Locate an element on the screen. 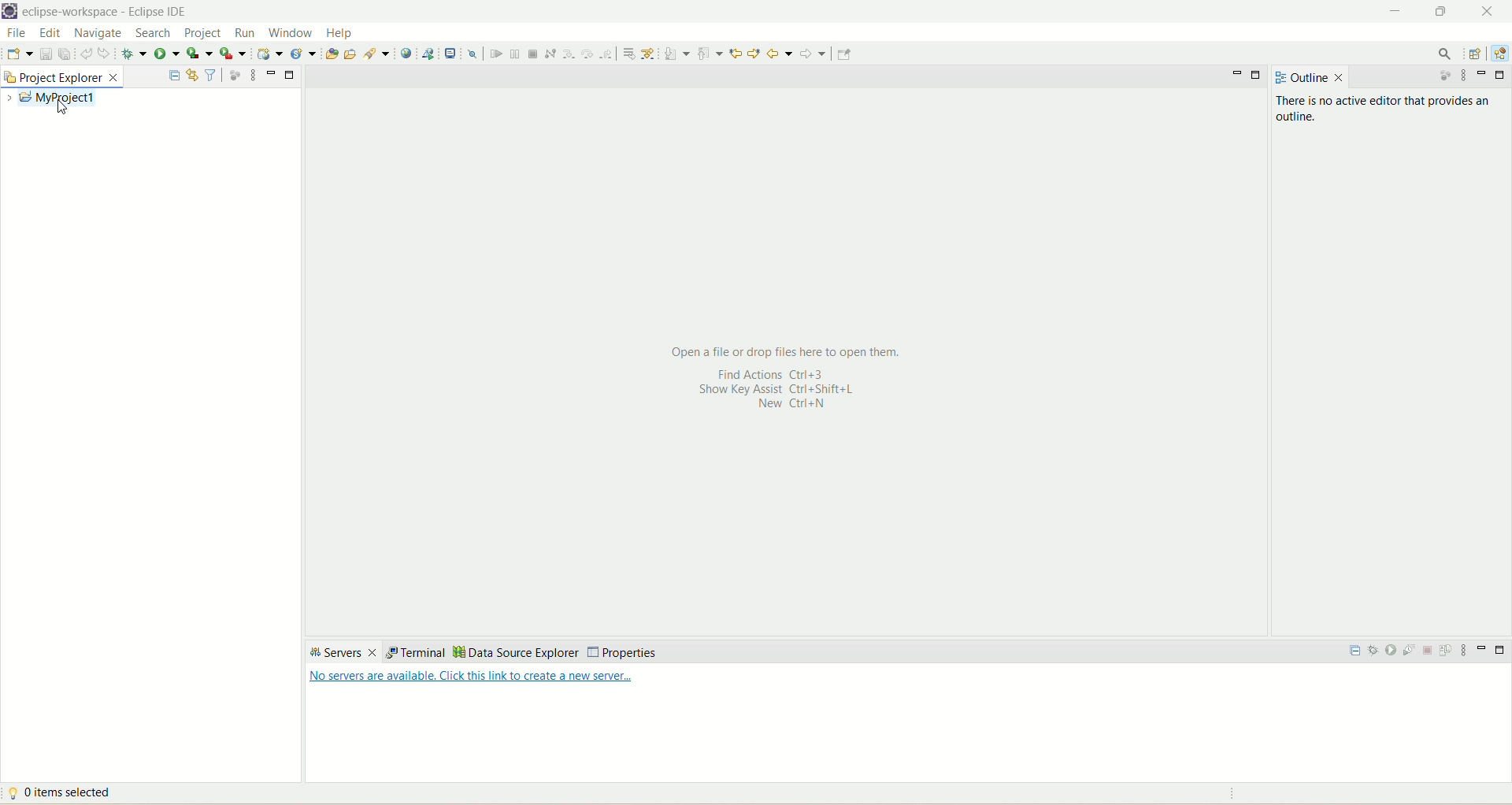 The height and width of the screenshot is (805, 1512). focus on active task is located at coordinates (1443, 75).